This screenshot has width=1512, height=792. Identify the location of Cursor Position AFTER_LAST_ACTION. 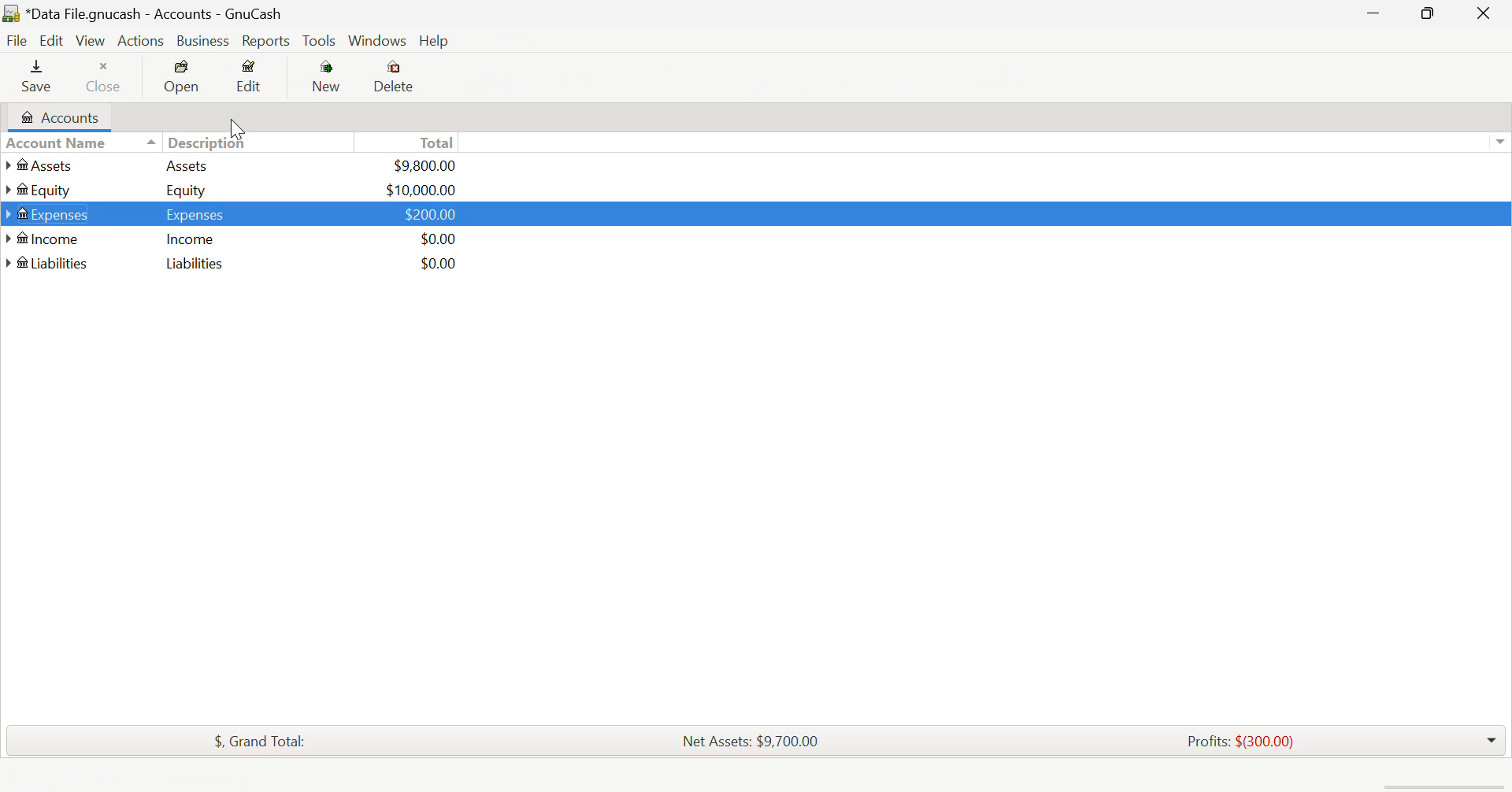
(236, 128).